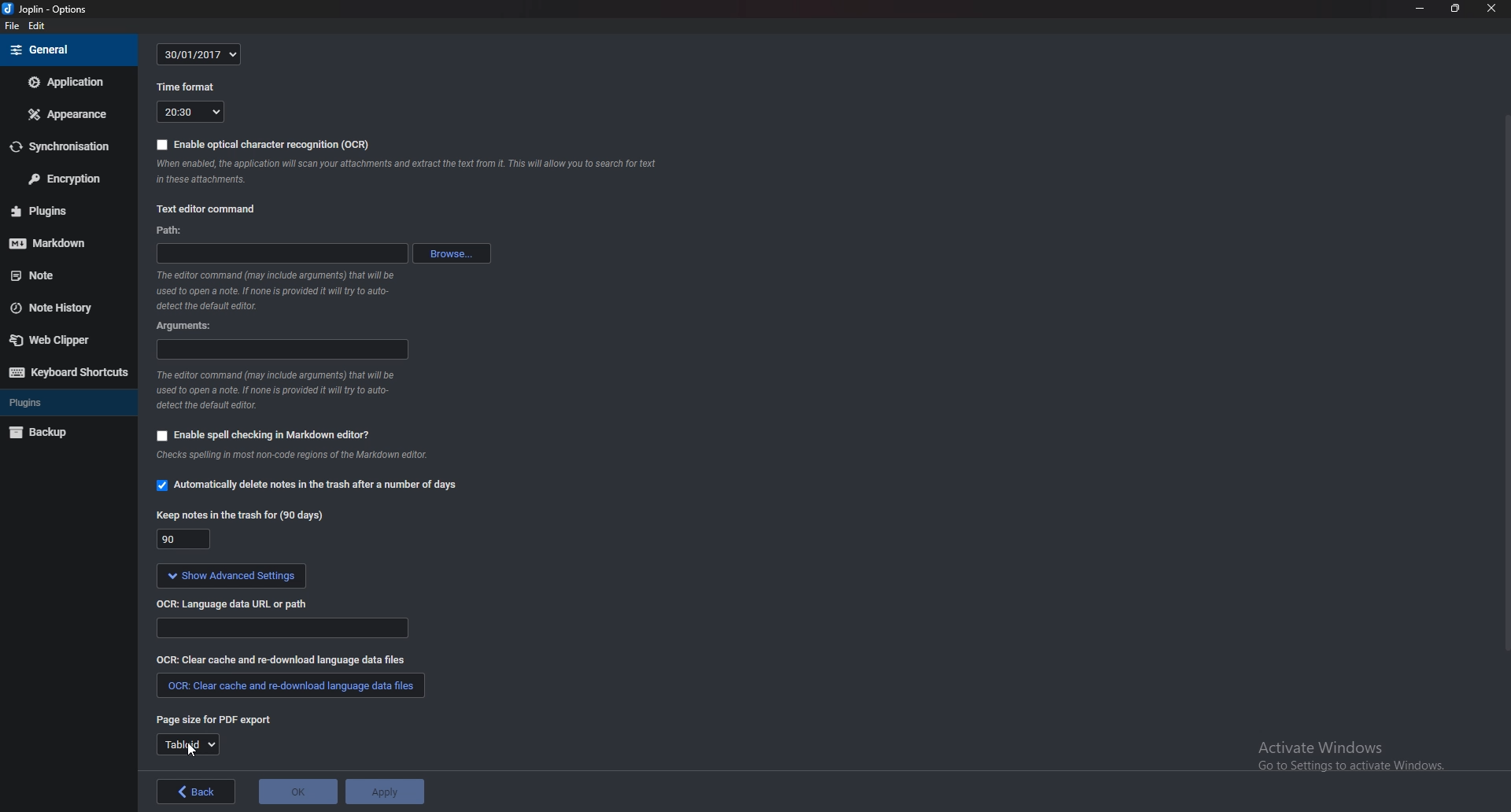  What do you see at coordinates (189, 113) in the screenshot?
I see `20:30` at bounding box center [189, 113].